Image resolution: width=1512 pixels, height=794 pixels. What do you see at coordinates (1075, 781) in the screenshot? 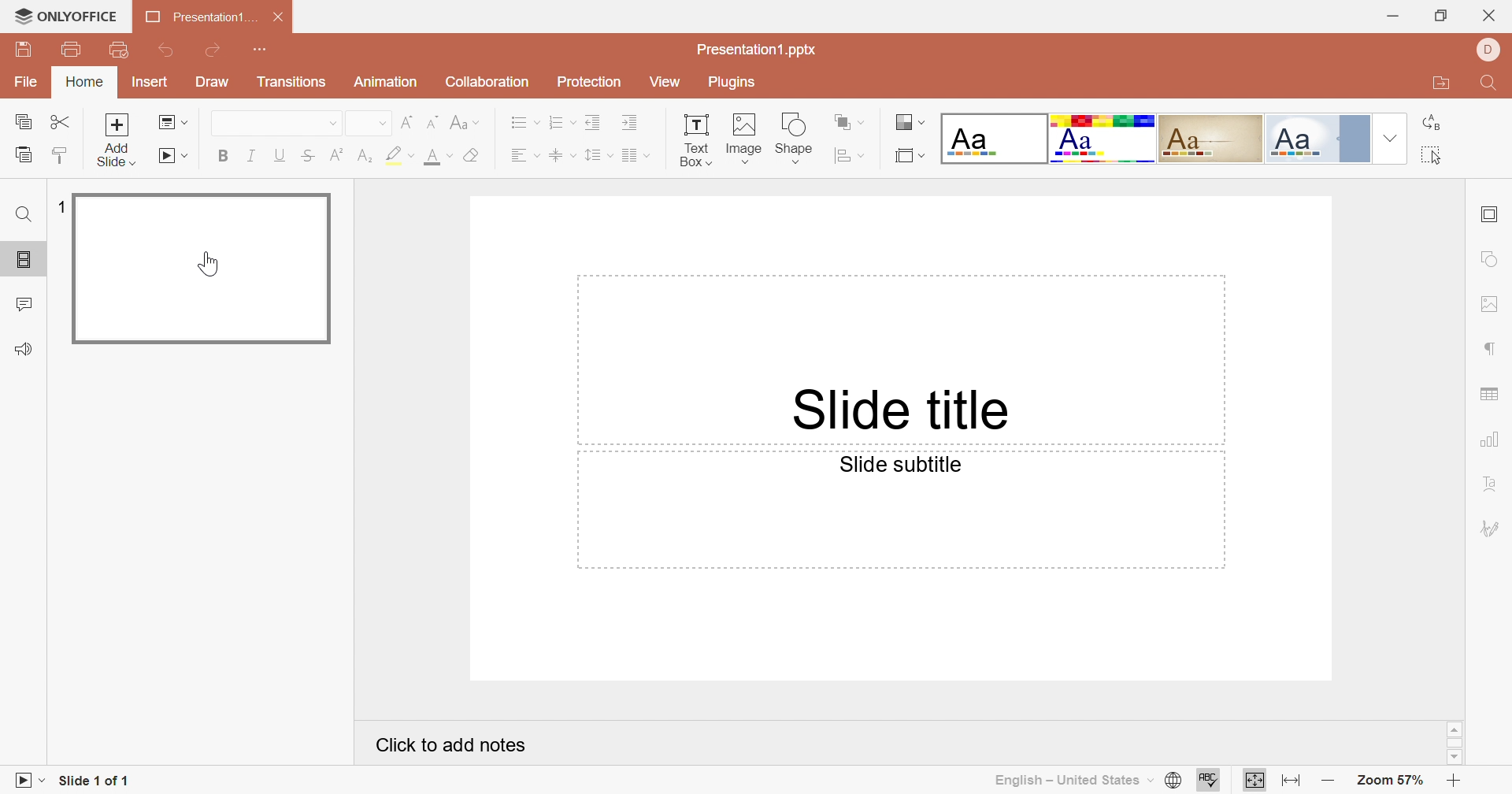
I see `English - United States` at bounding box center [1075, 781].